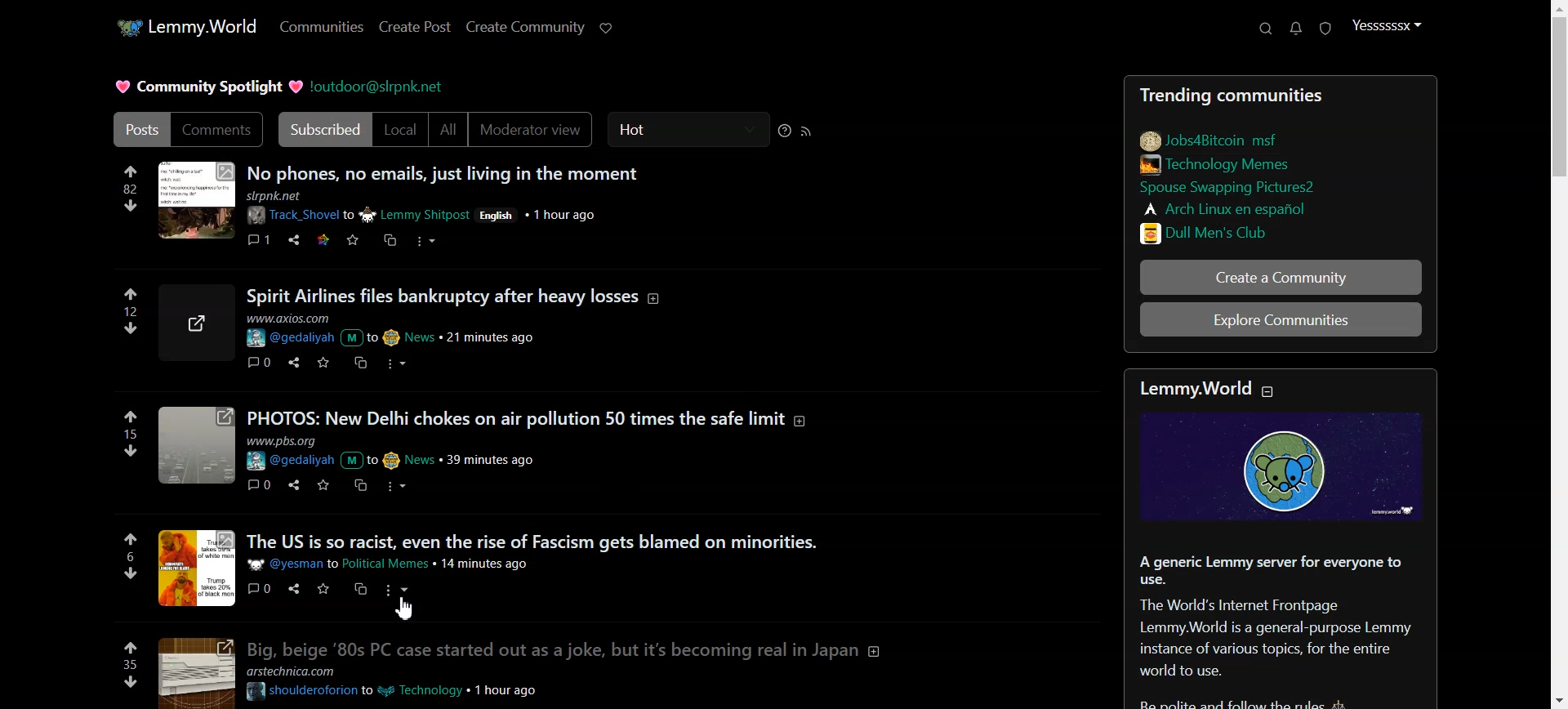 The width and height of the screenshot is (1568, 709). I want to click on RSS, so click(807, 131).